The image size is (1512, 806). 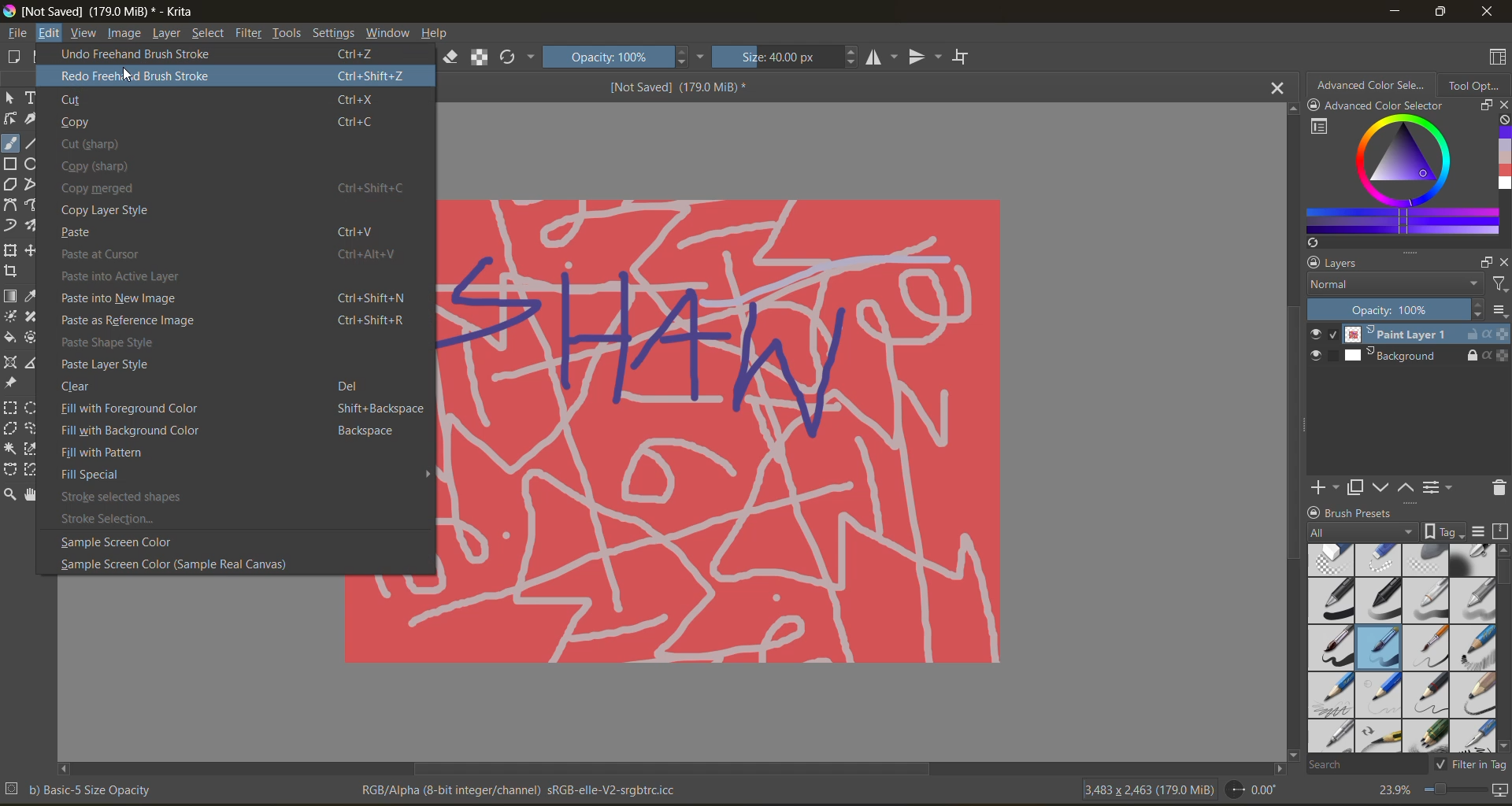 What do you see at coordinates (1275, 764) in the screenshot?
I see `scroll right` at bounding box center [1275, 764].